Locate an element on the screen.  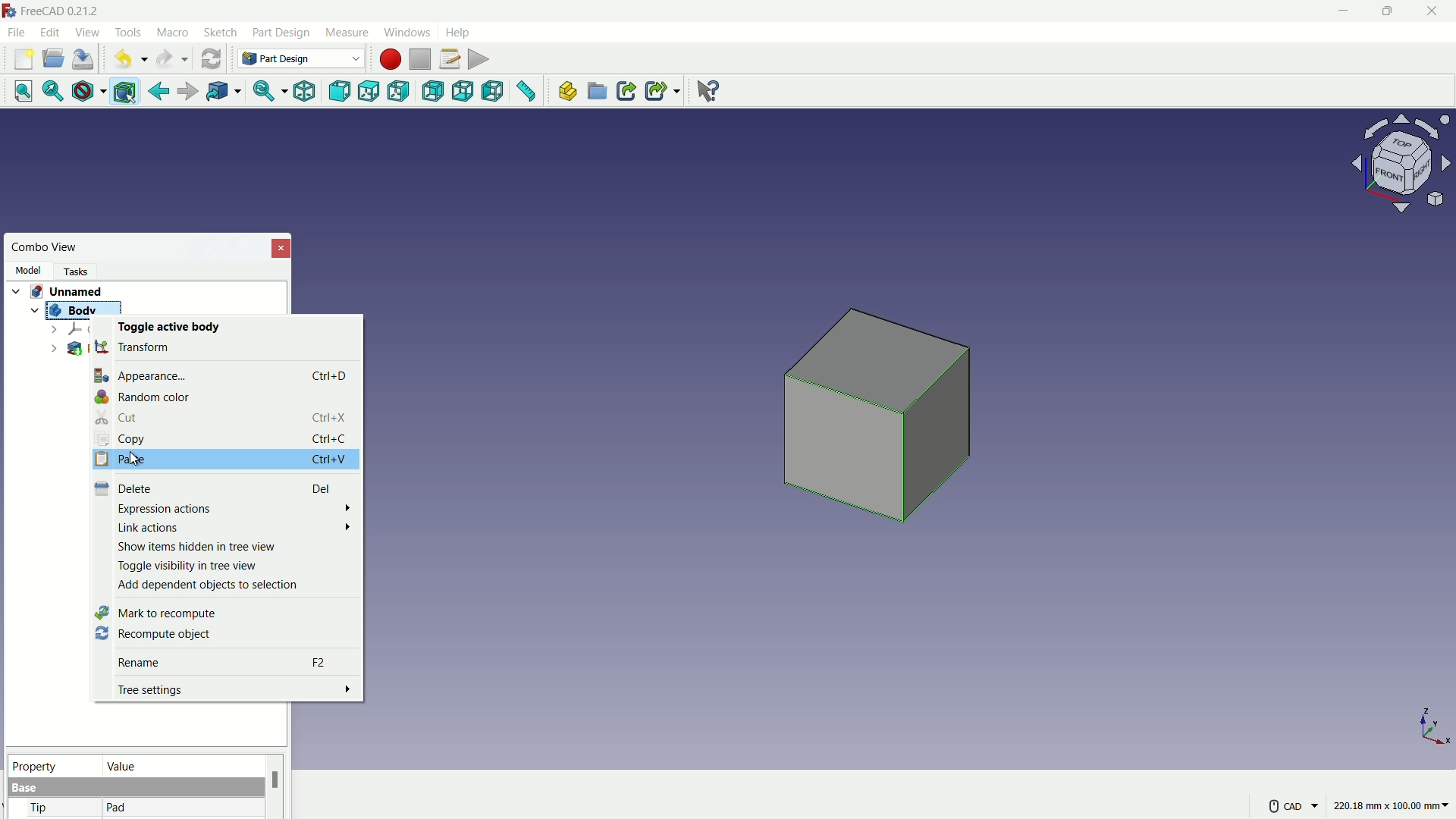
redo is located at coordinates (172, 59).